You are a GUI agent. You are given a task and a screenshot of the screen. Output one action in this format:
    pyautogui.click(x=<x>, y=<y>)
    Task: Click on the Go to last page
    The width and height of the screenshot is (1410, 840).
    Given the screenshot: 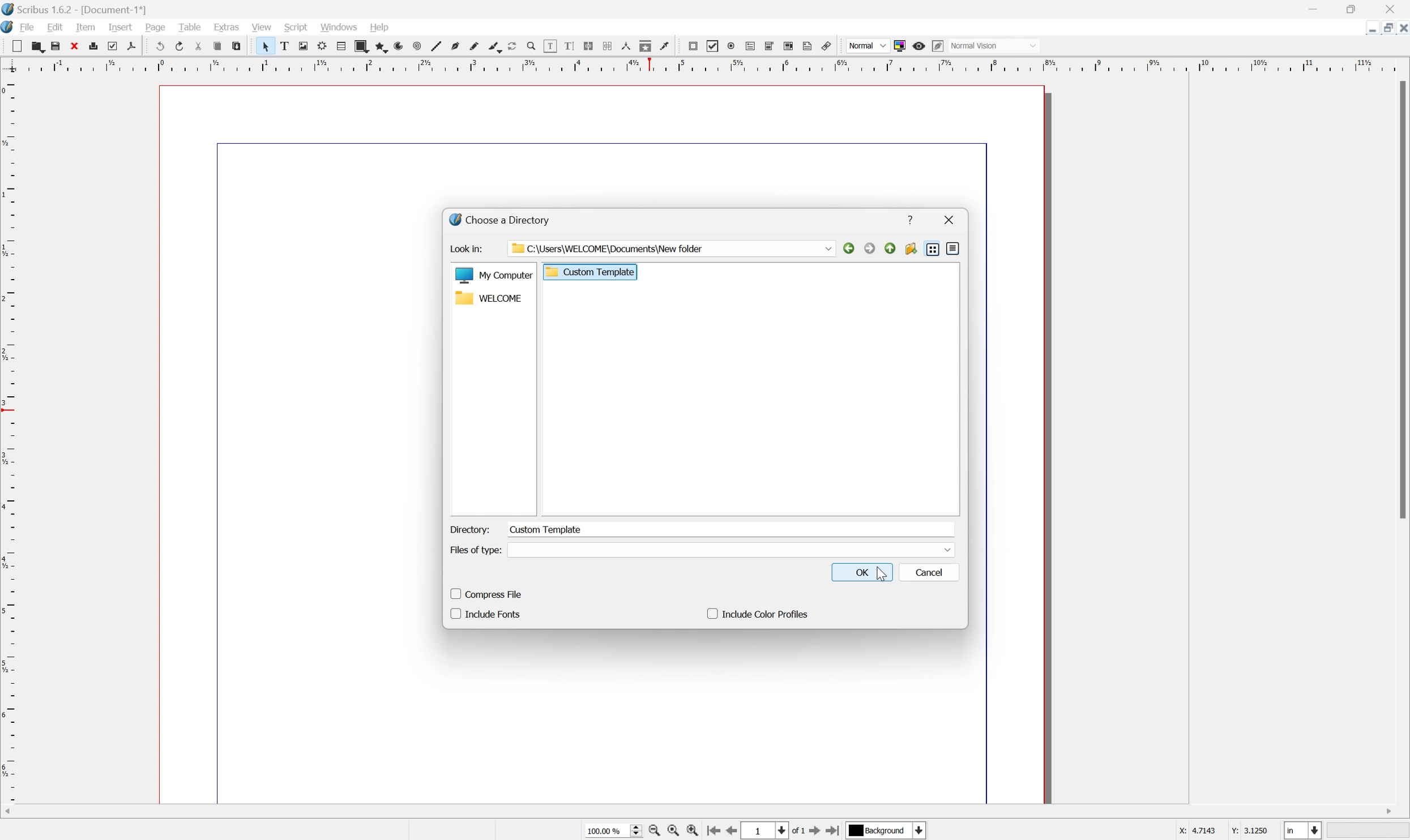 What is the action you would take?
    pyautogui.click(x=834, y=832)
    